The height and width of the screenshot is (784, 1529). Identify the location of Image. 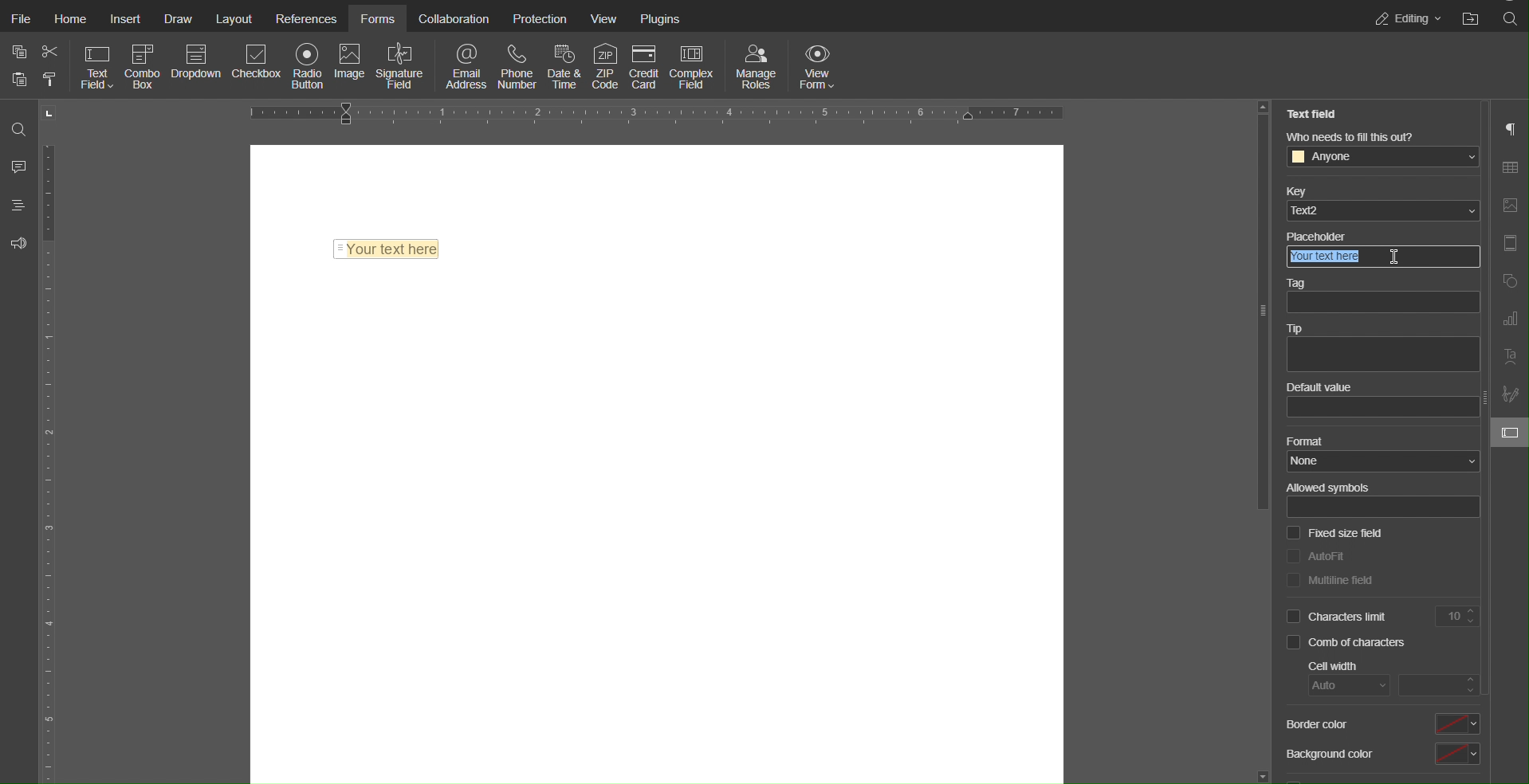
(349, 68).